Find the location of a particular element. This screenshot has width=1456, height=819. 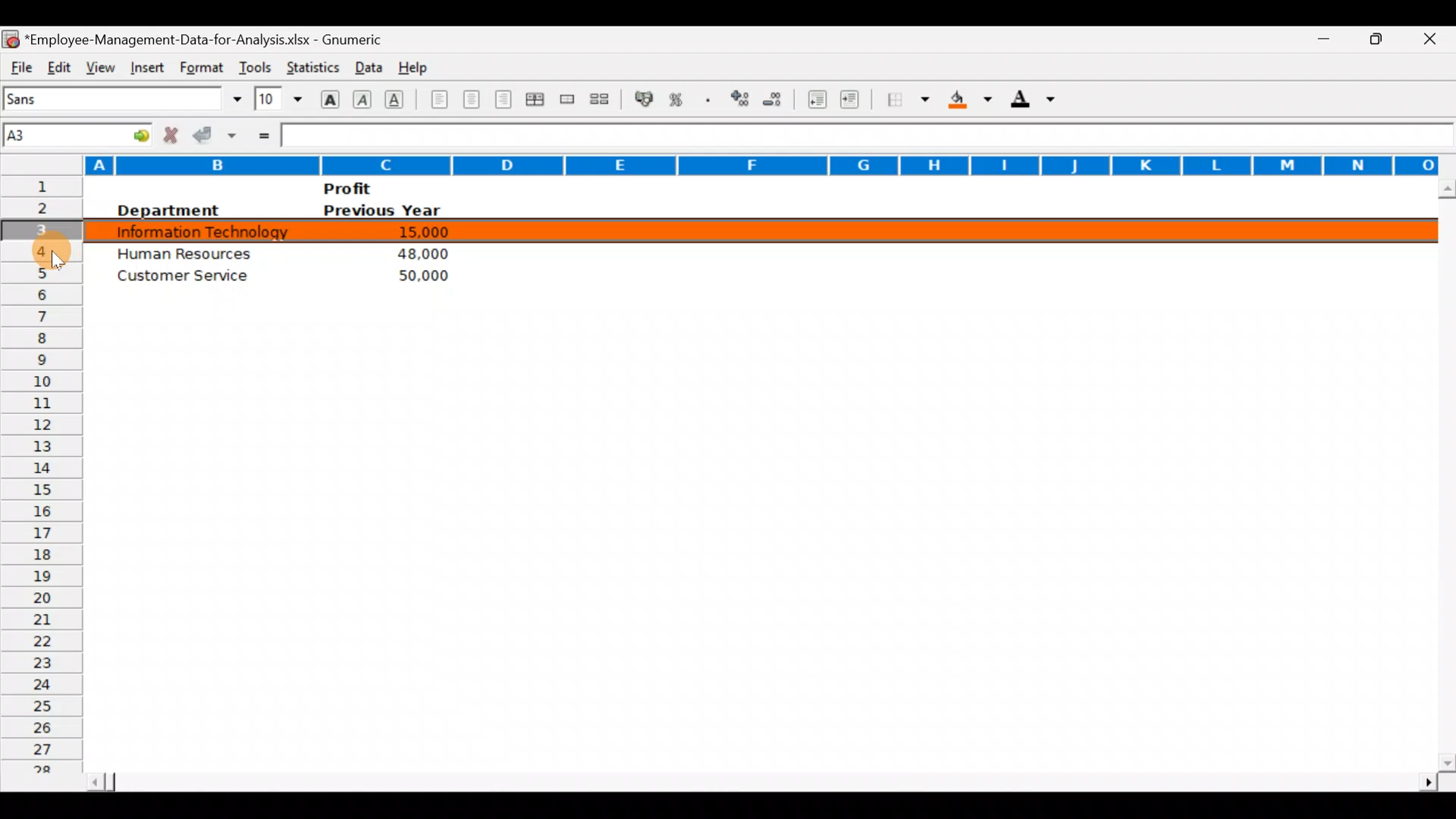

Statistics is located at coordinates (311, 64).